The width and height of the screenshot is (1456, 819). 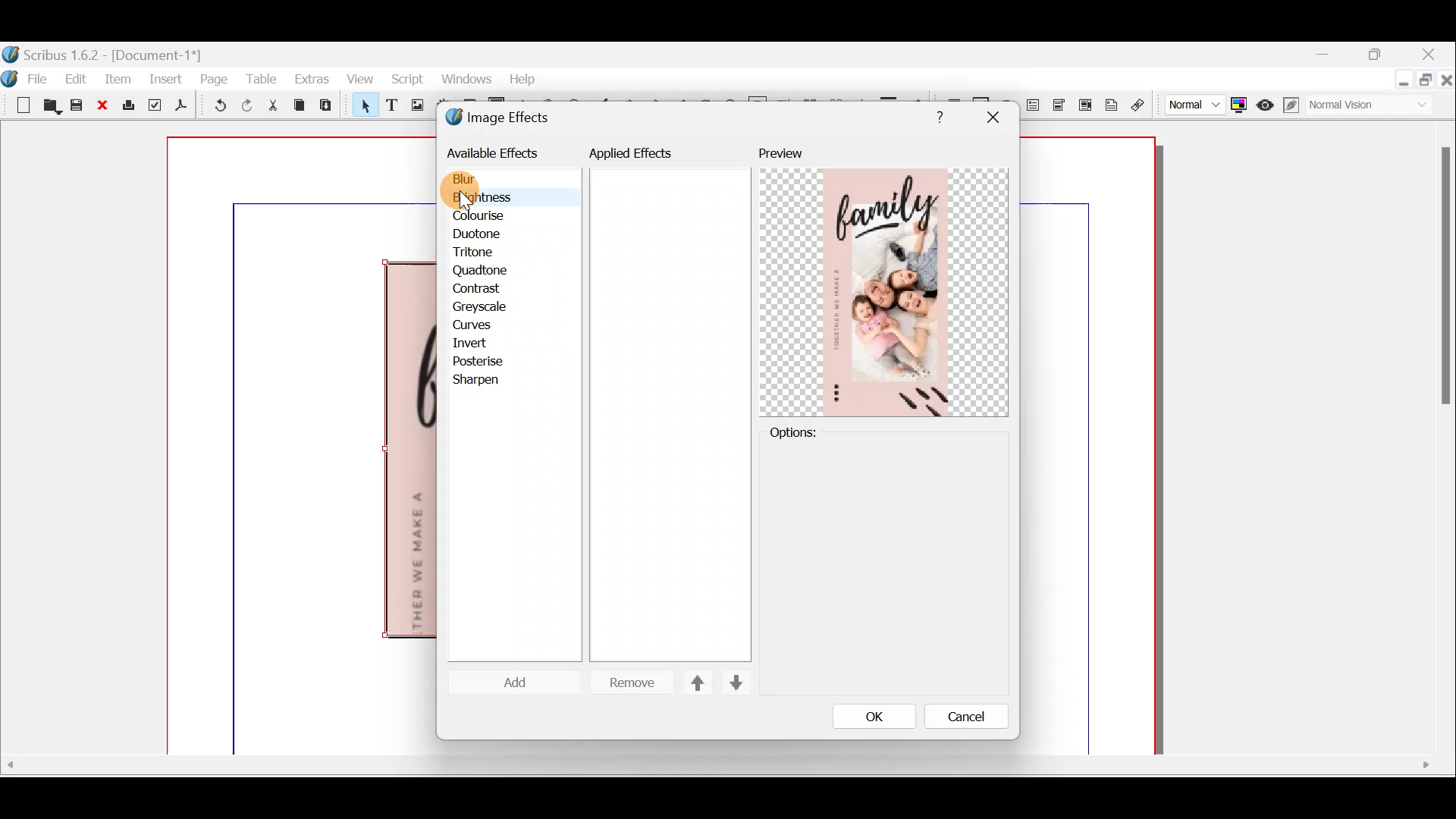 What do you see at coordinates (300, 105) in the screenshot?
I see `Copy` at bounding box center [300, 105].